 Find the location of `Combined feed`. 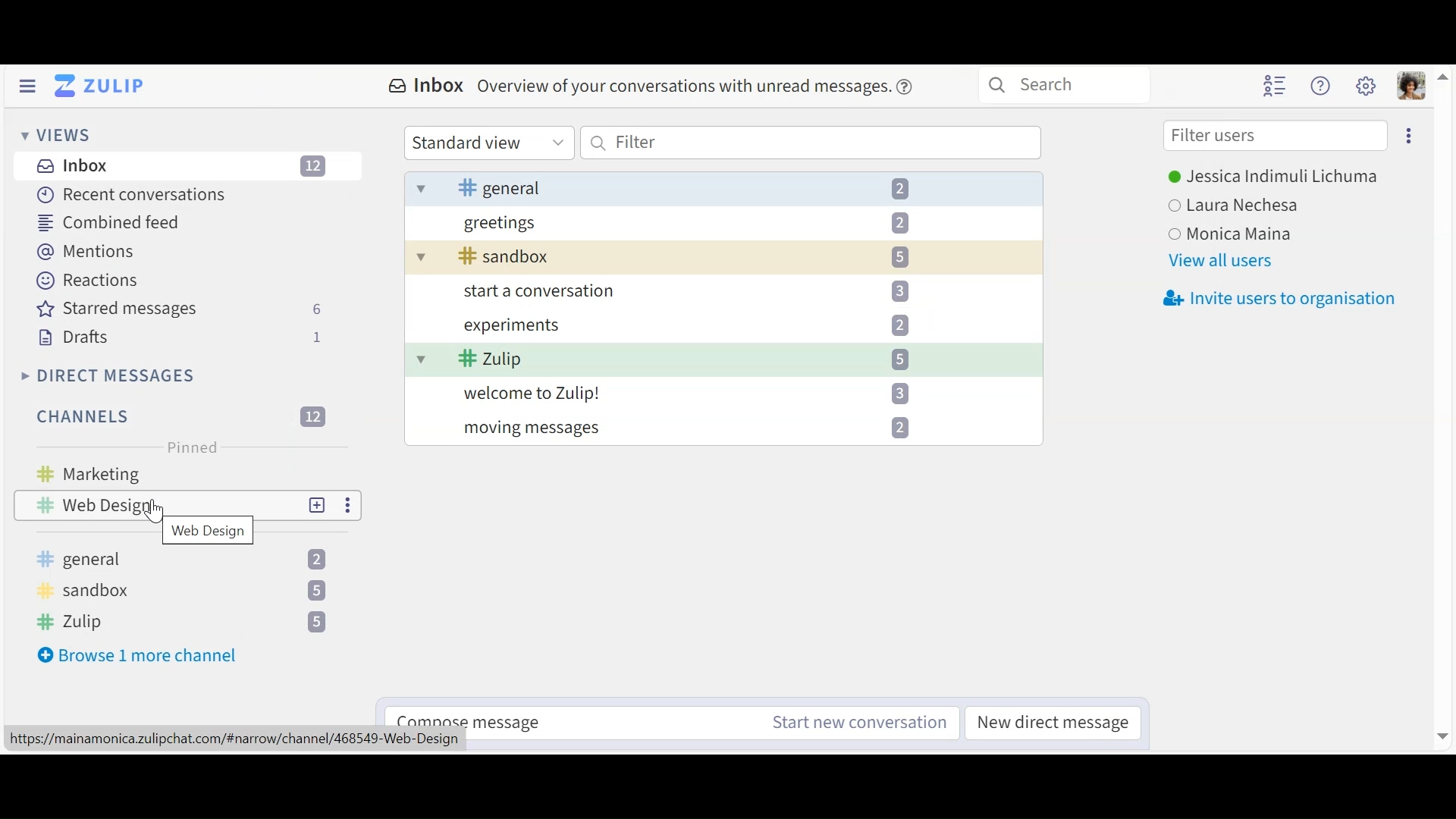

Combined feed is located at coordinates (108, 221).